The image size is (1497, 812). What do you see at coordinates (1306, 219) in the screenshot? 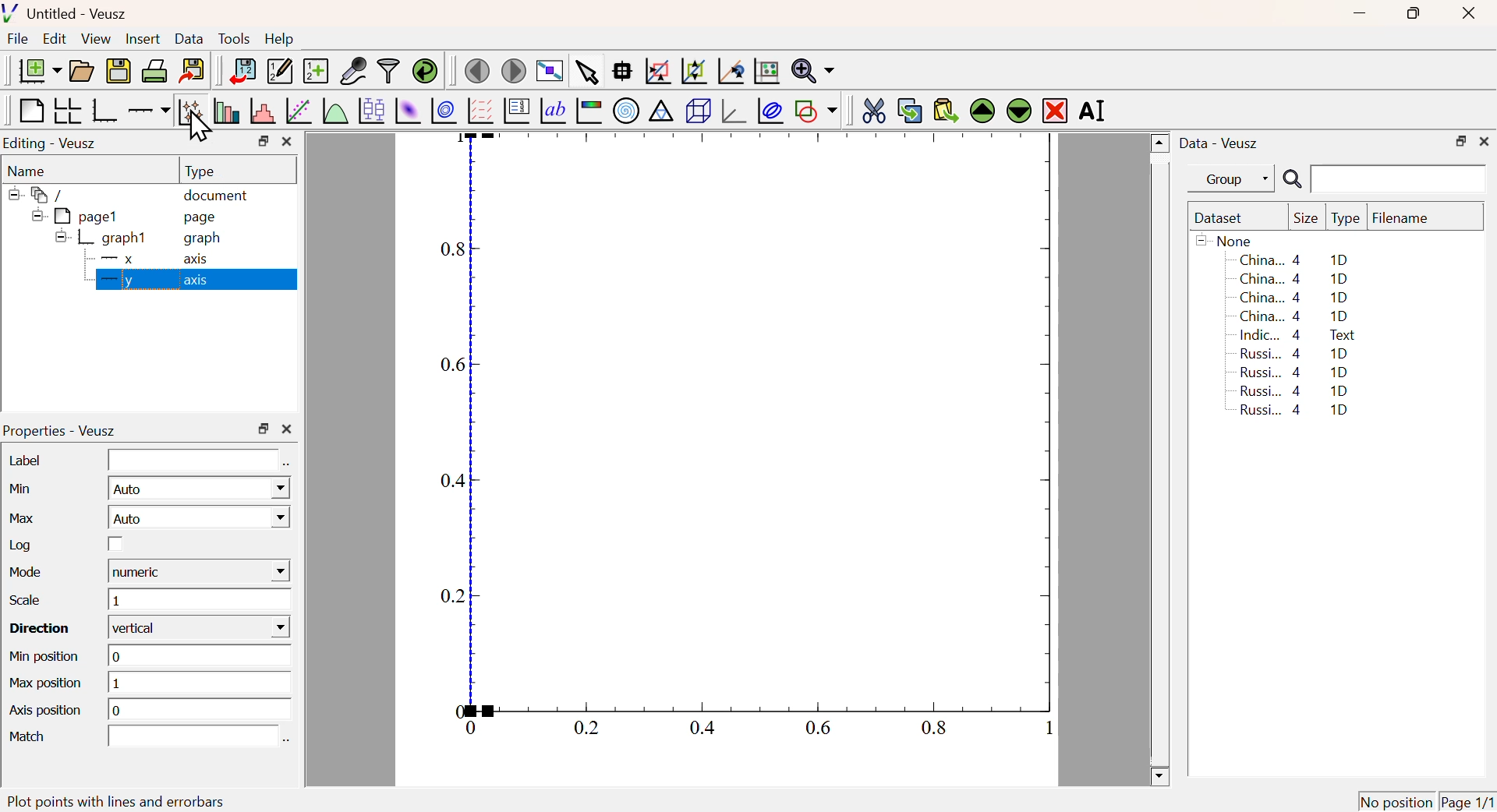
I see `Size` at bounding box center [1306, 219].